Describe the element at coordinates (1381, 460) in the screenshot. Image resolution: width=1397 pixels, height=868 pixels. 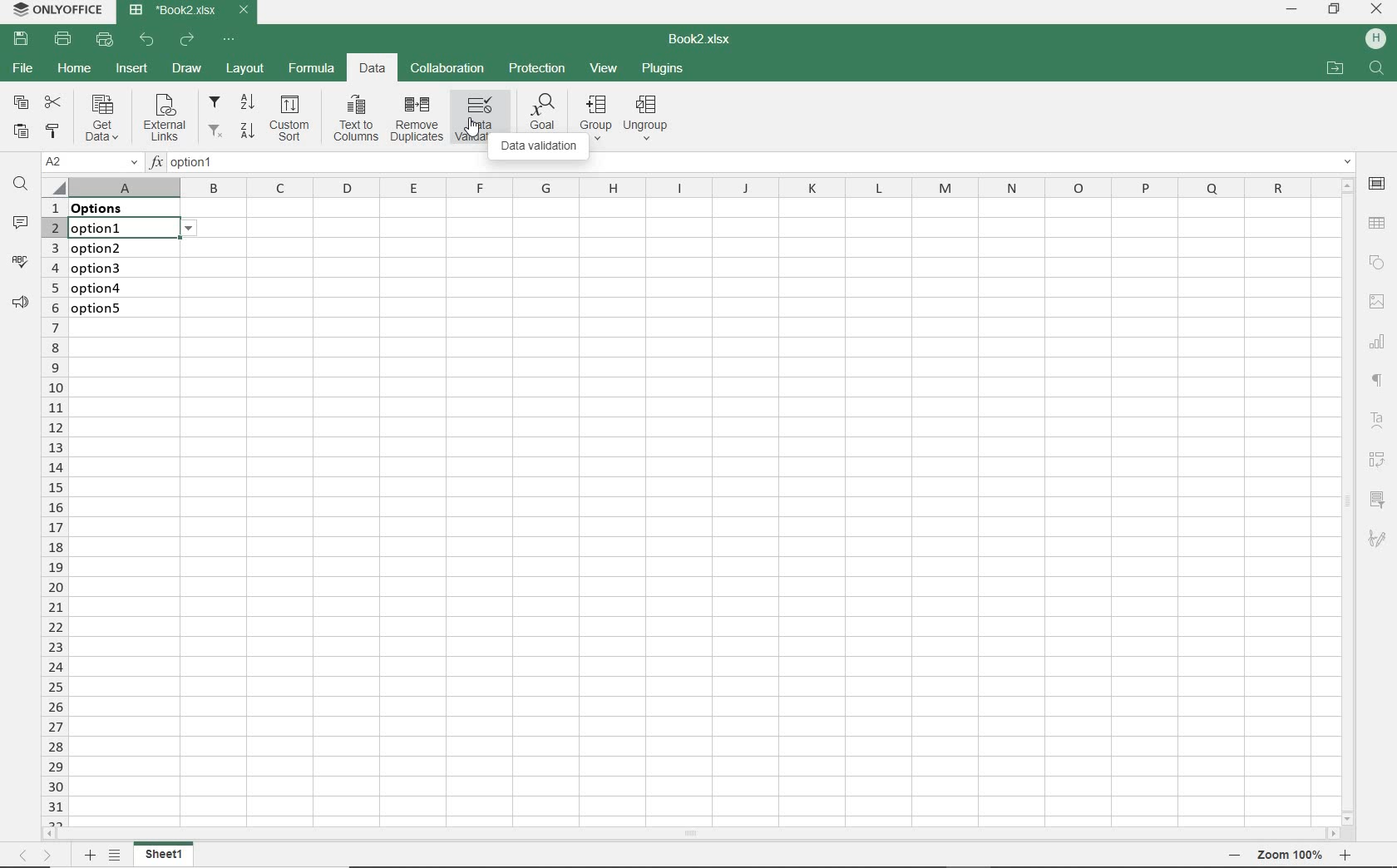
I see `Reverse ` at that location.